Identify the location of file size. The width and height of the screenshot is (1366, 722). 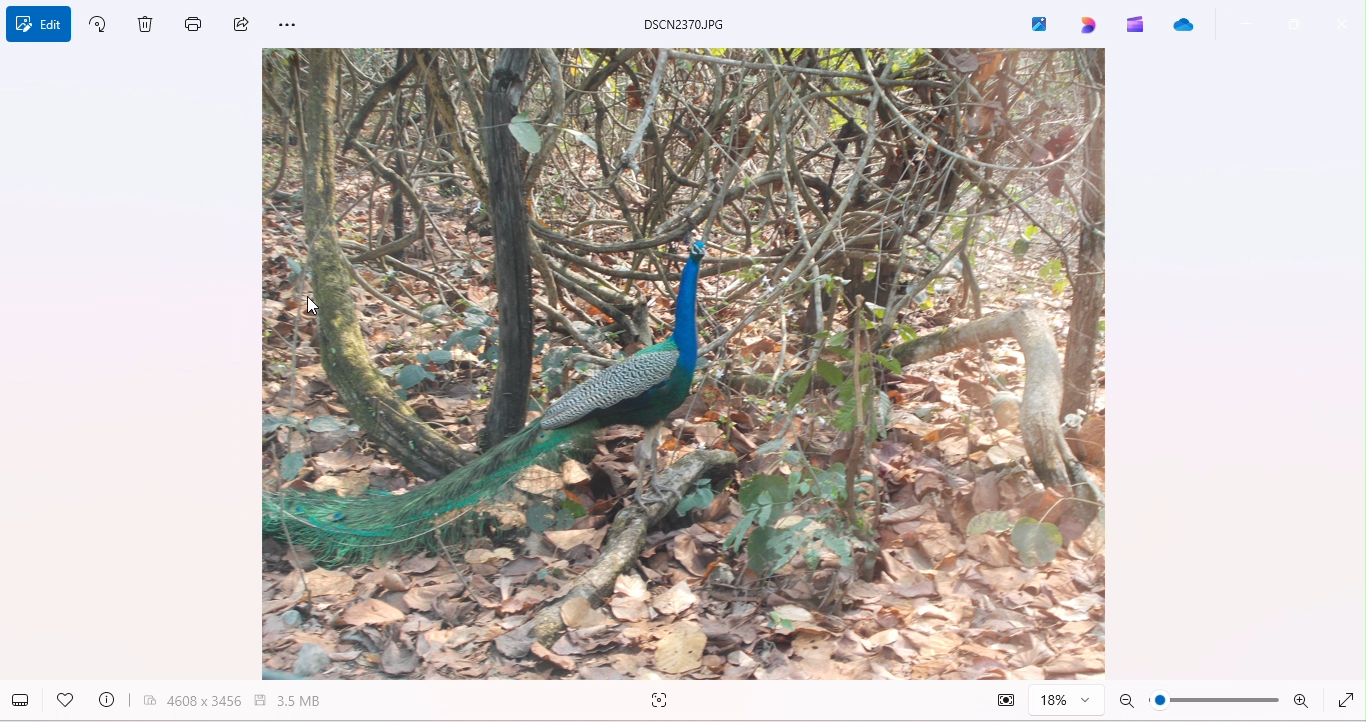
(295, 700).